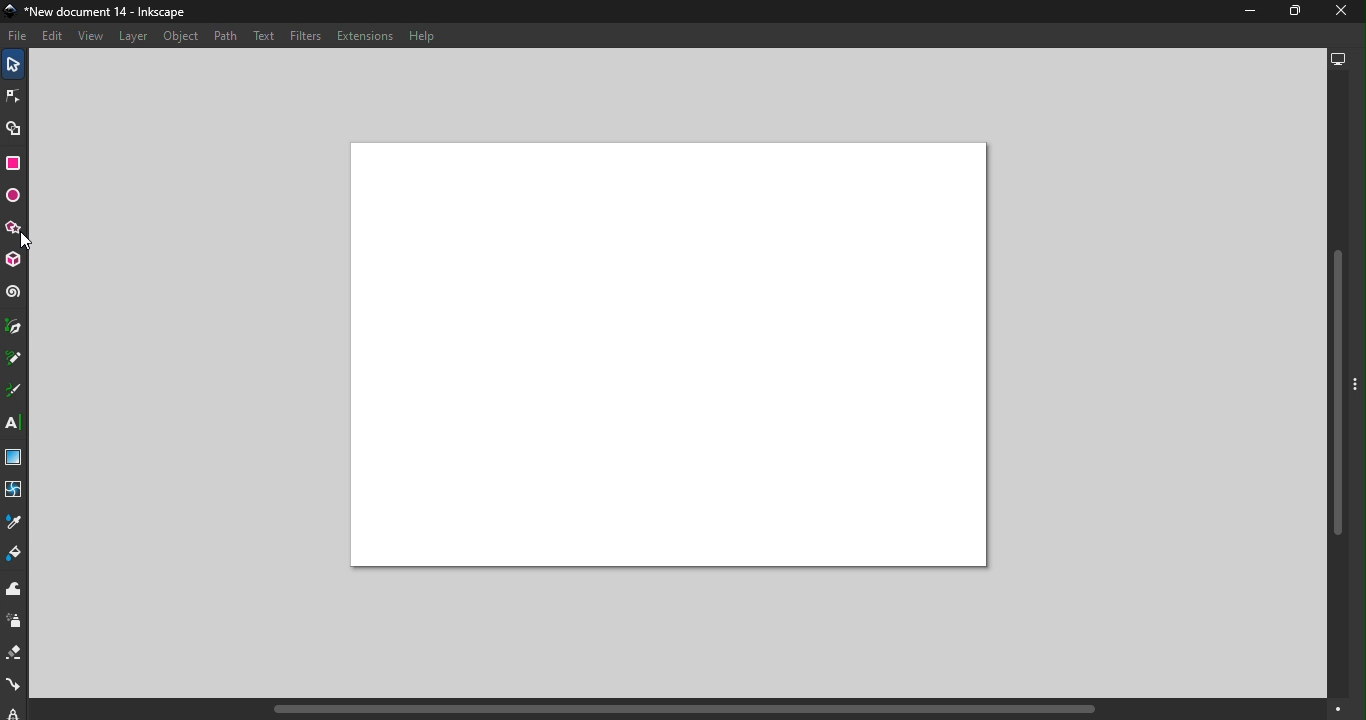 Image resolution: width=1366 pixels, height=720 pixels. What do you see at coordinates (364, 36) in the screenshot?
I see `Extensions` at bounding box center [364, 36].